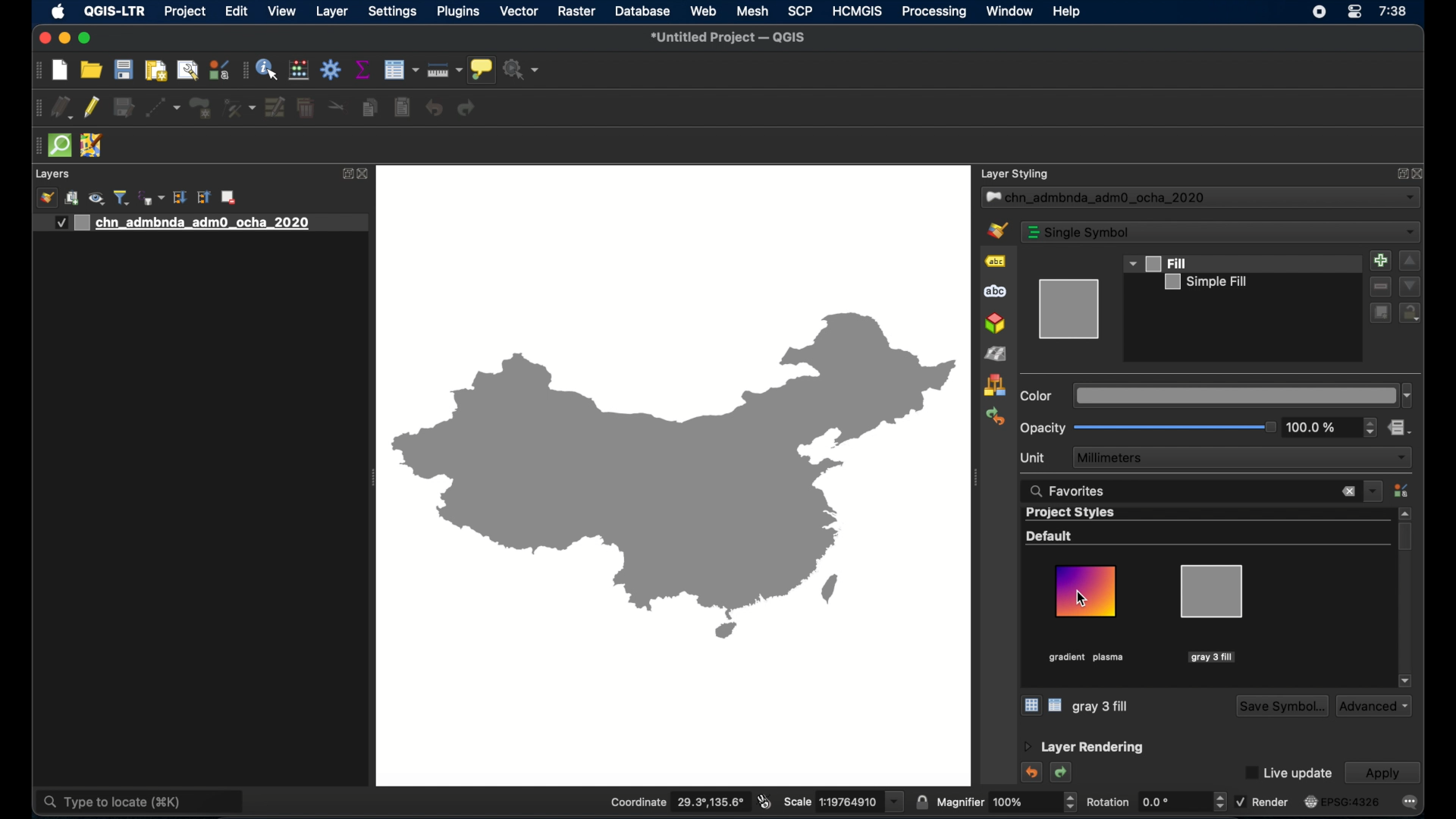  Describe the element at coordinates (98, 199) in the screenshot. I see `show map theme` at that location.